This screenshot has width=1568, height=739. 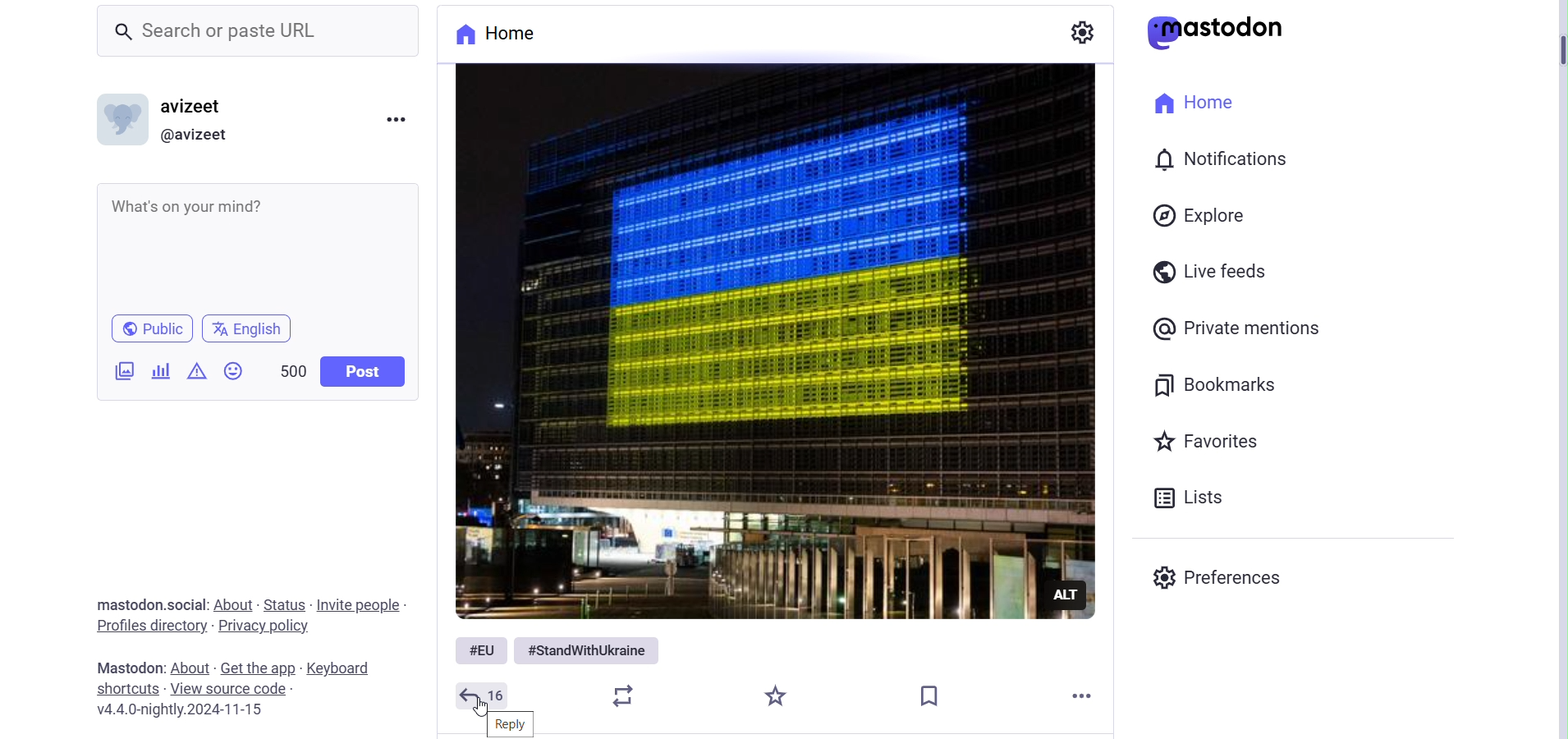 What do you see at coordinates (179, 710) in the screenshot?
I see `Version` at bounding box center [179, 710].